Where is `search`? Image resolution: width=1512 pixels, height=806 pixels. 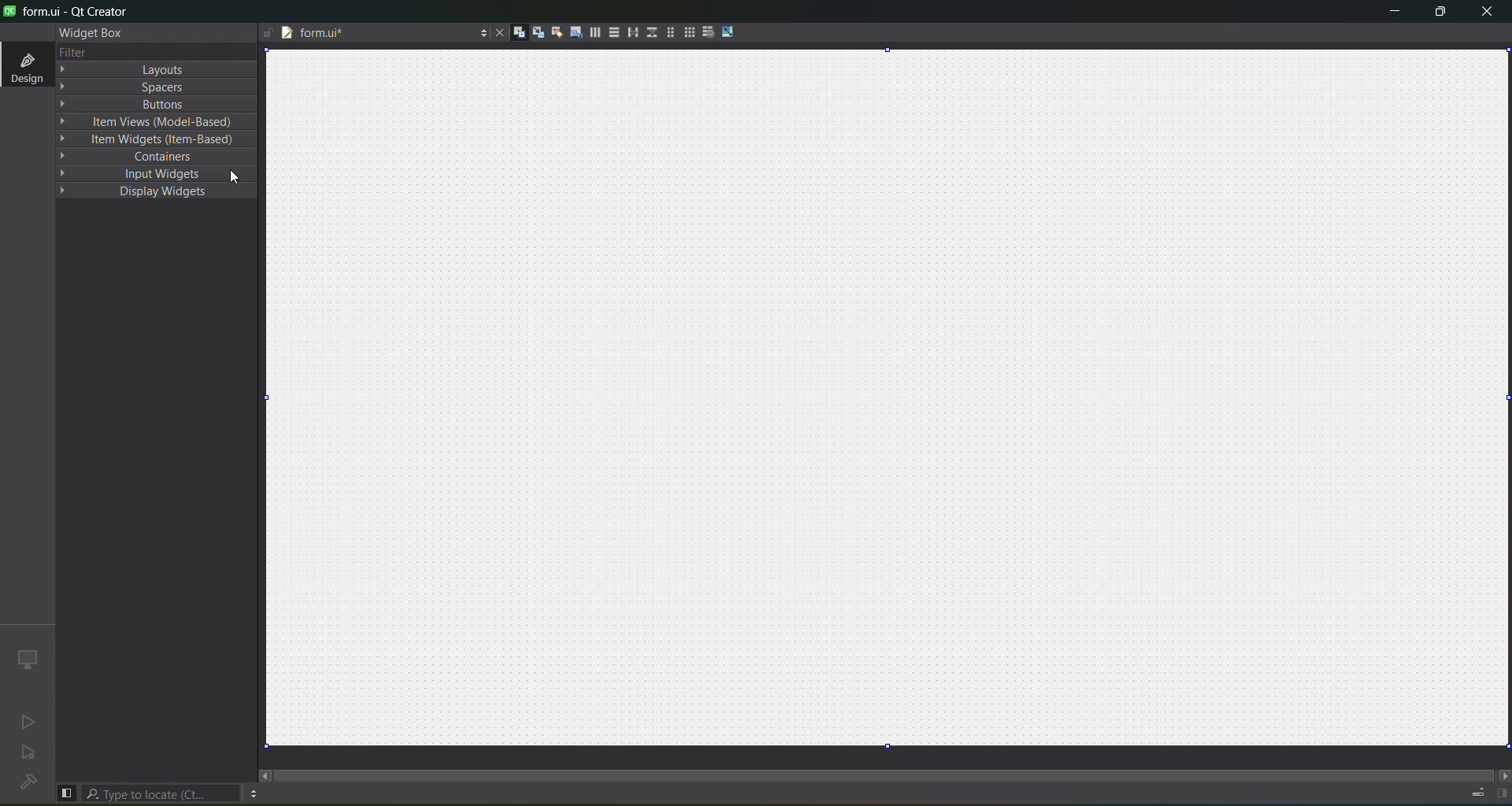 search is located at coordinates (161, 794).